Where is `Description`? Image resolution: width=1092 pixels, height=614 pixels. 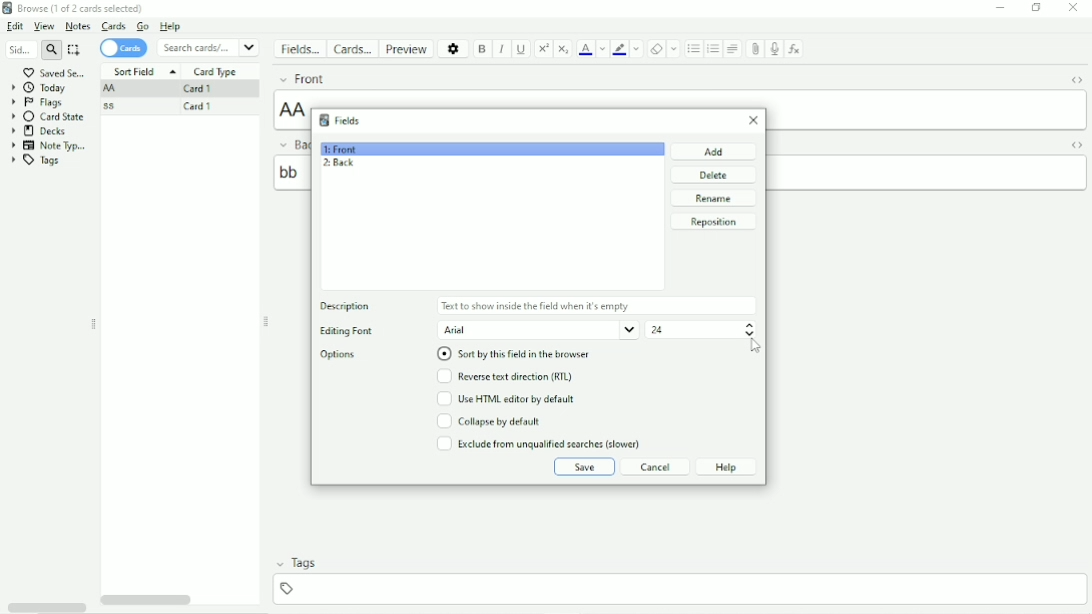
Description is located at coordinates (344, 305).